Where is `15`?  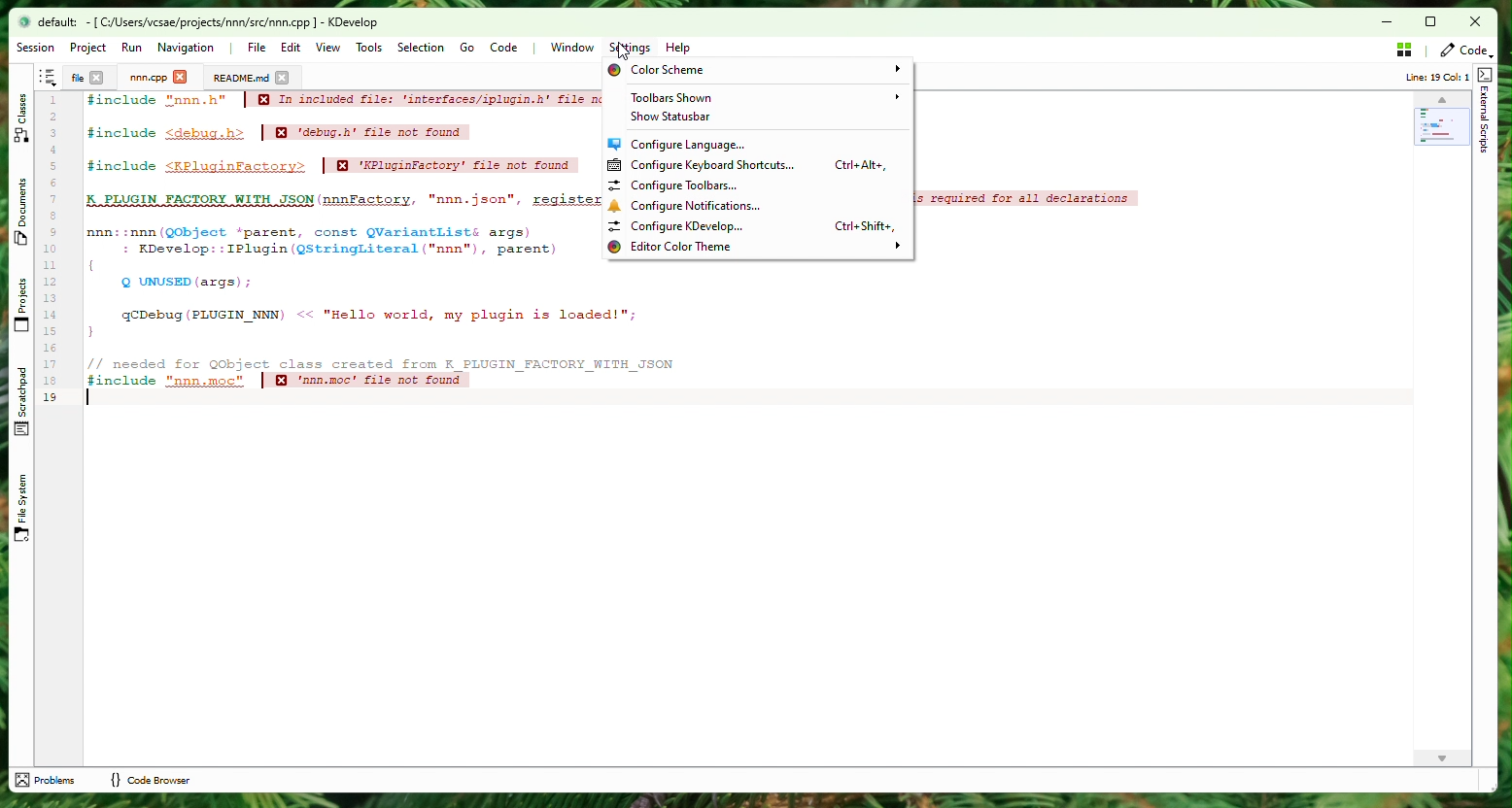
15 is located at coordinates (51, 331).